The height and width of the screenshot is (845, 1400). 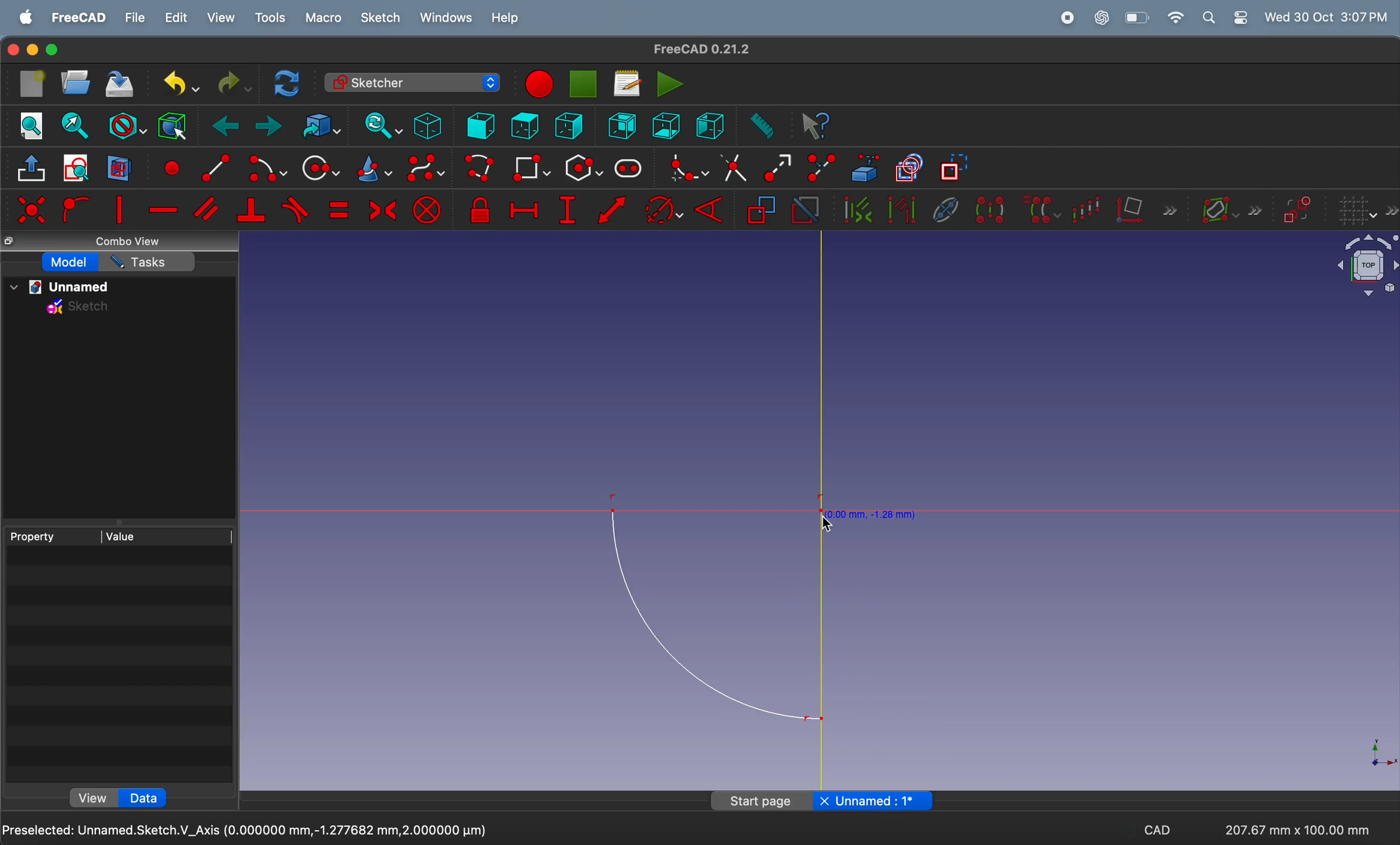 What do you see at coordinates (523, 208) in the screenshot?
I see `constrain horizontal distance` at bounding box center [523, 208].